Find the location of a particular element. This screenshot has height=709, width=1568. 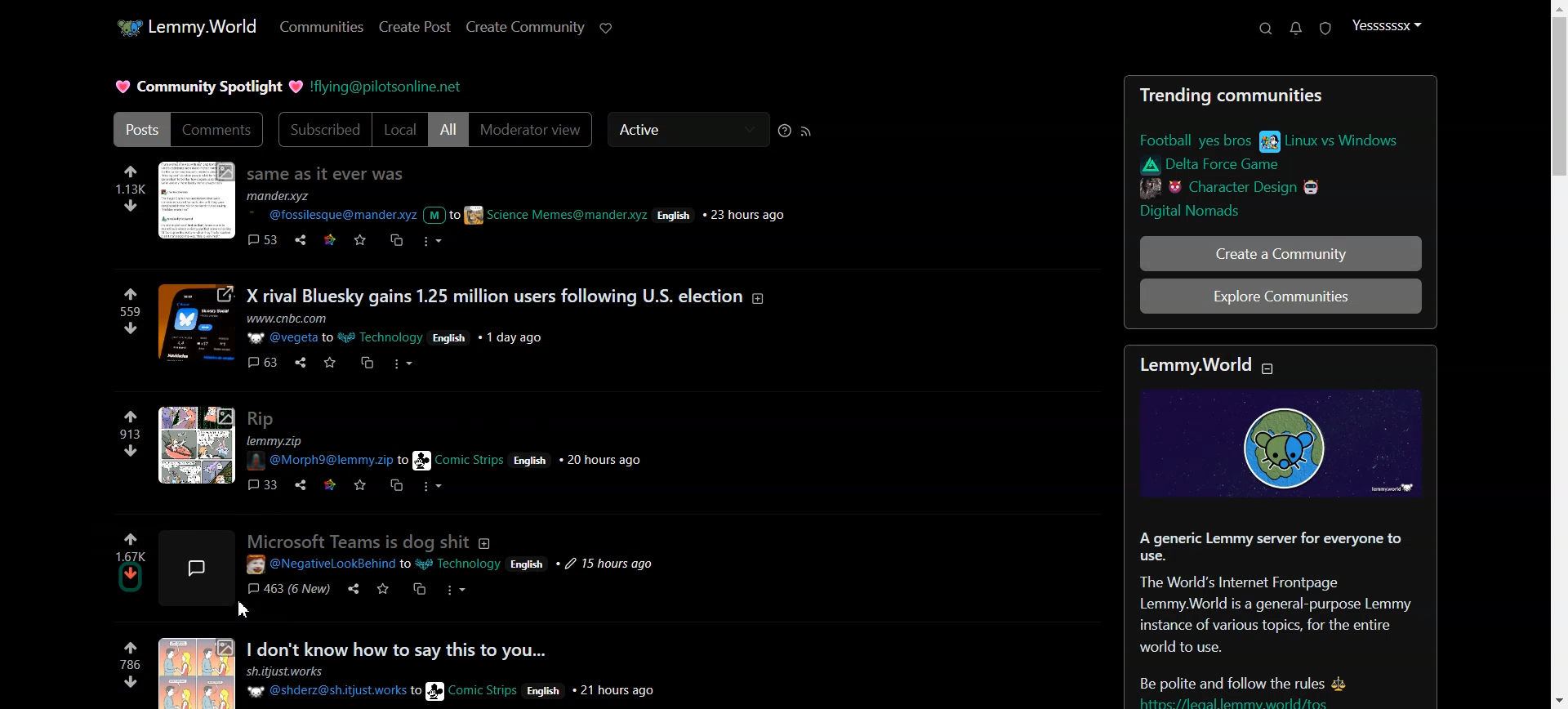

more is located at coordinates (456, 591).